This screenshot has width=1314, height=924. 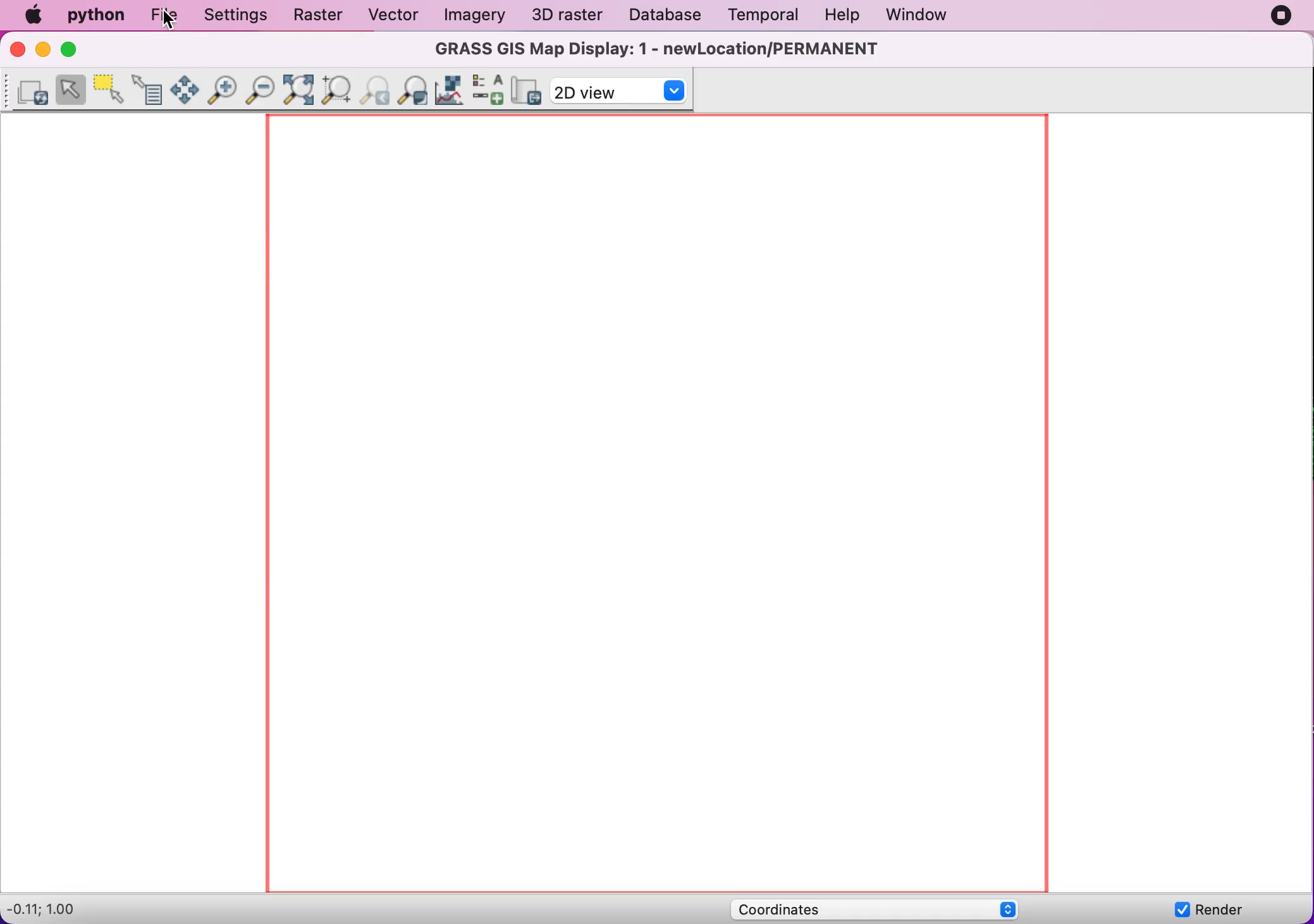 What do you see at coordinates (651, 503) in the screenshot?
I see `canvas` at bounding box center [651, 503].